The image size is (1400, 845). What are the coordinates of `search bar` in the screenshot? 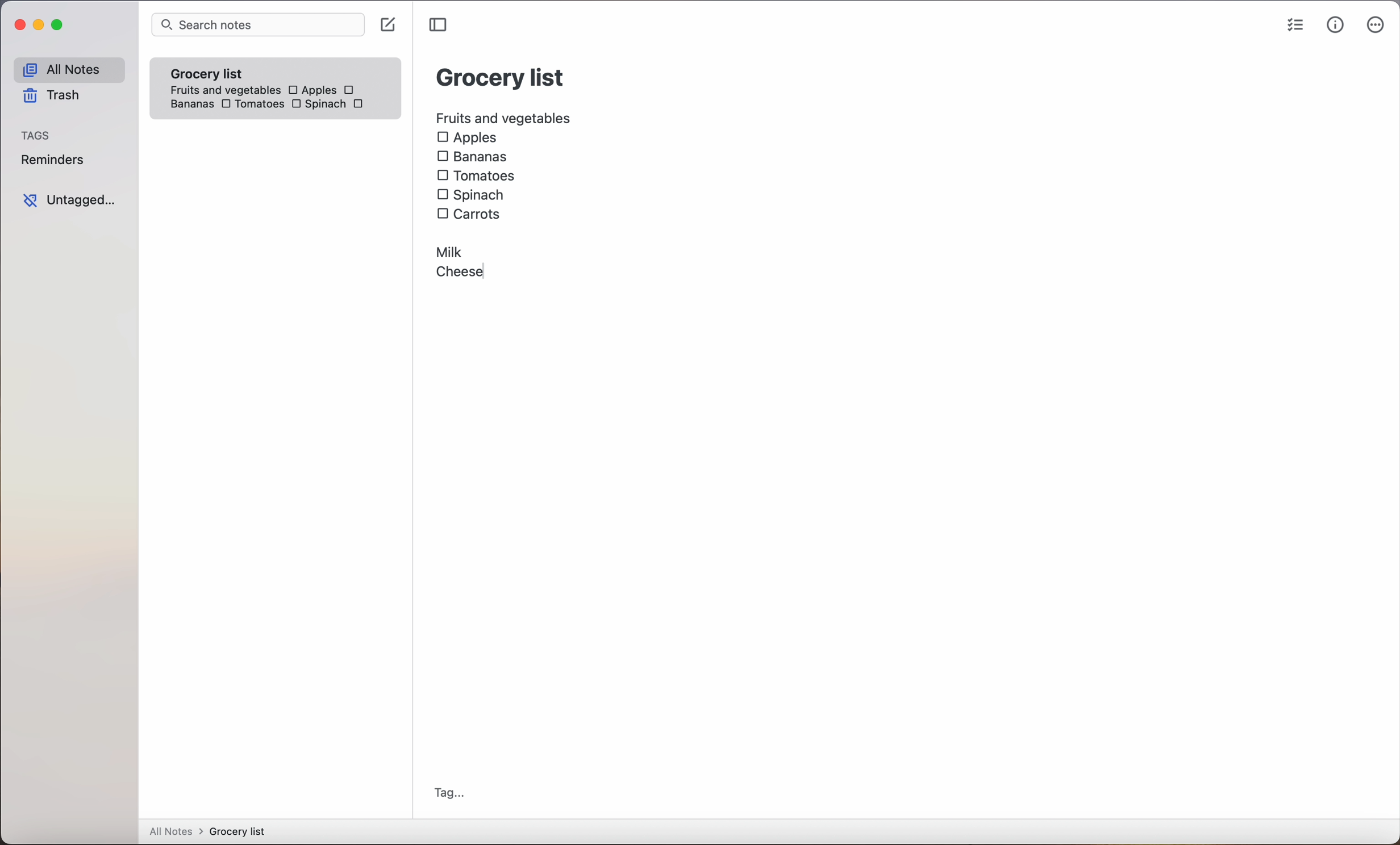 It's located at (257, 26).